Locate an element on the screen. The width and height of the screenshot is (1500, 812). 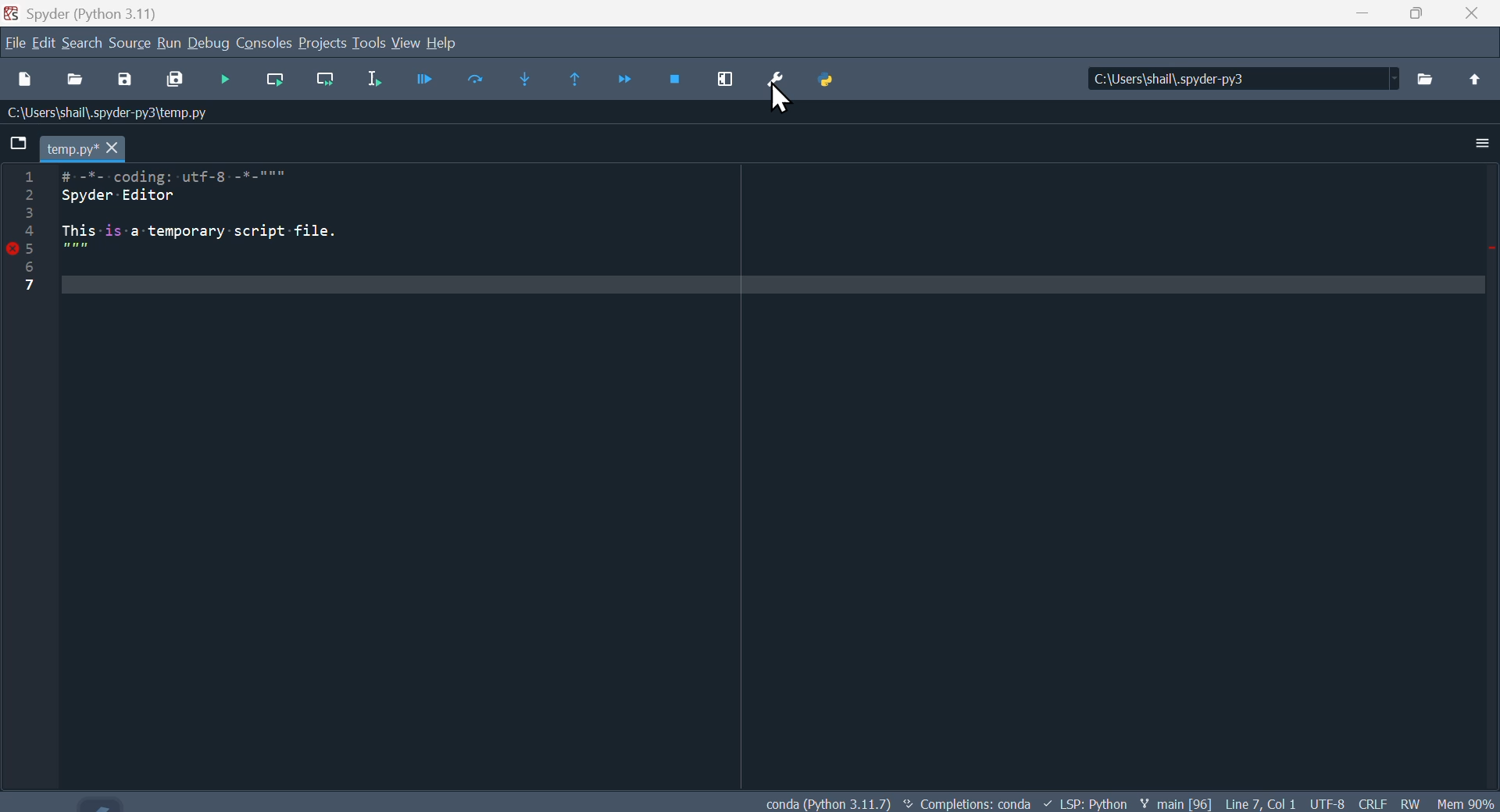
Search is located at coordinates (83, 41).